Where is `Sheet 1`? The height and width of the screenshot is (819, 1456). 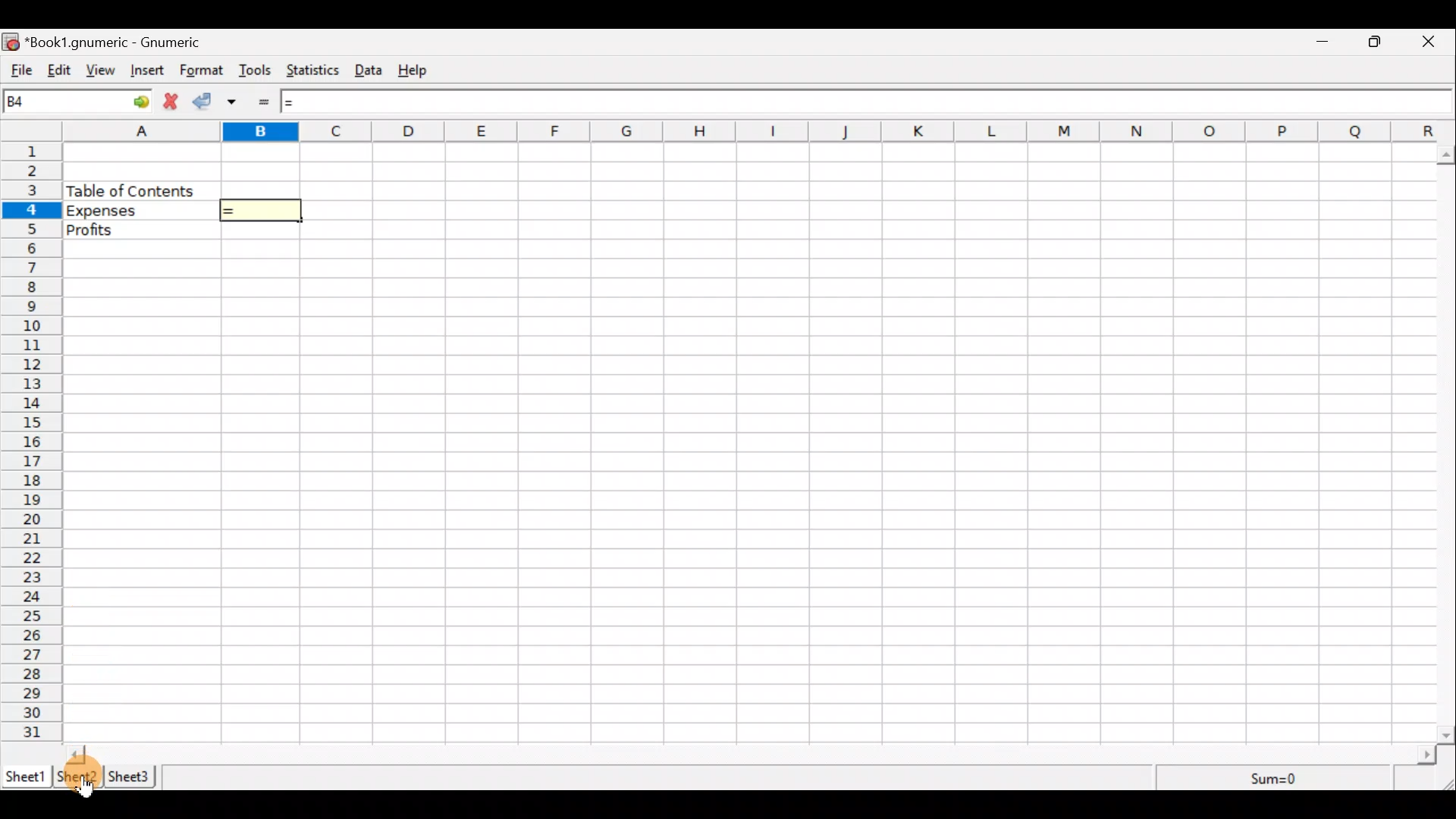
Sheet 1 is located at coordinates (26, 775).